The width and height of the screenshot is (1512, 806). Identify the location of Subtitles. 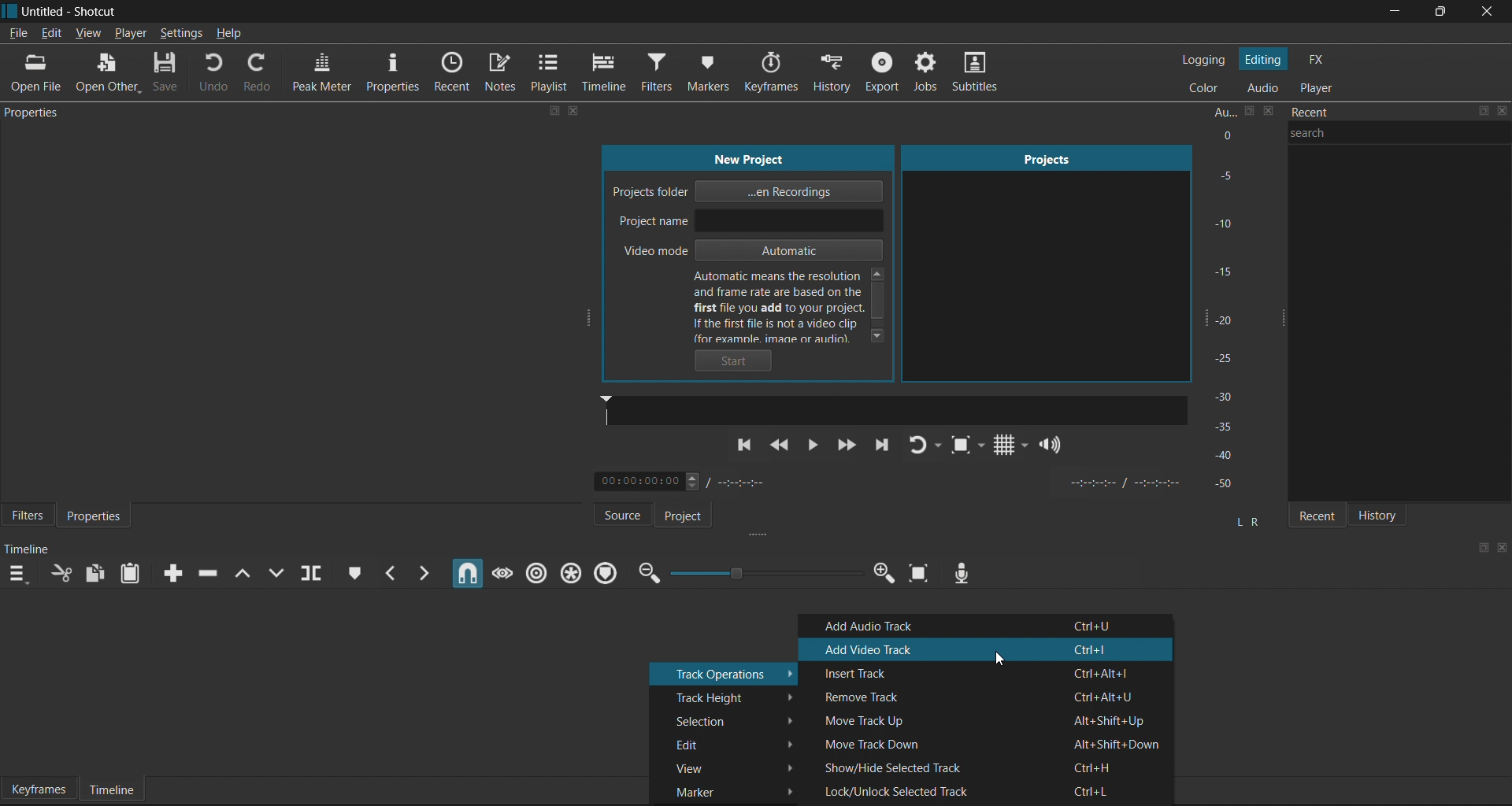
(982, 76).